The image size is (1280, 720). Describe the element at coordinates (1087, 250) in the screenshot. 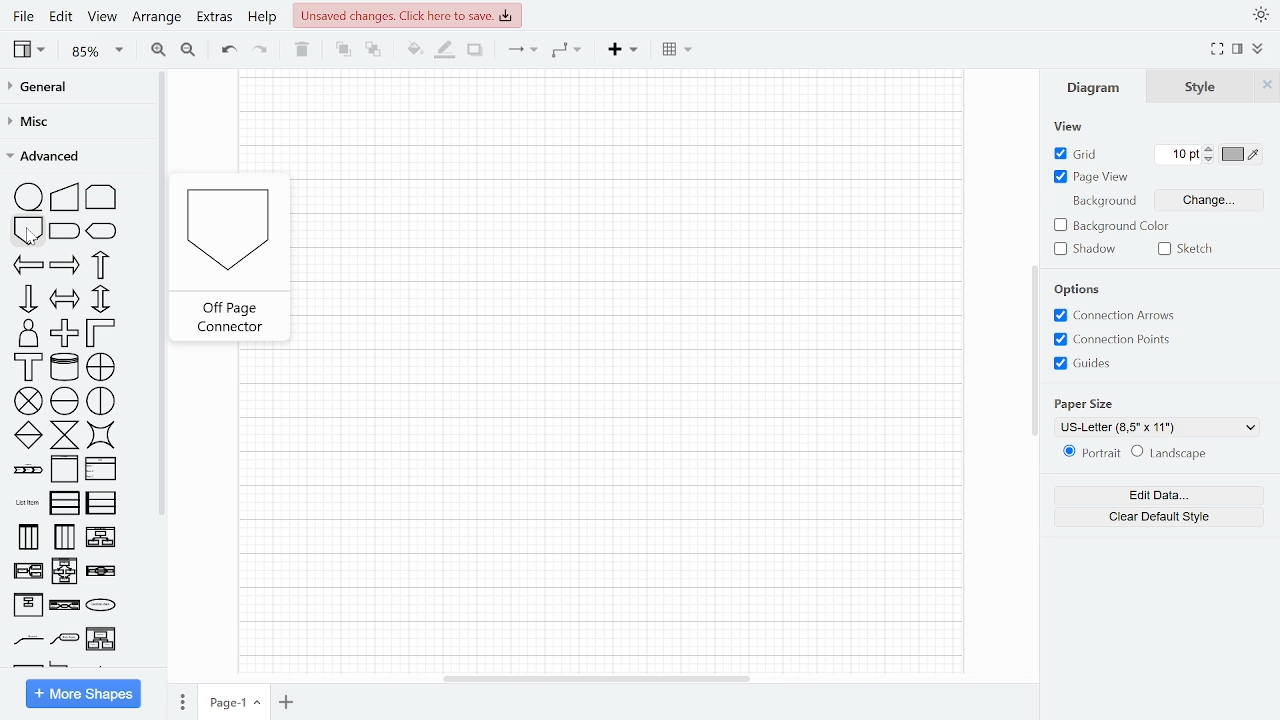

I see `Shadow` at that location.